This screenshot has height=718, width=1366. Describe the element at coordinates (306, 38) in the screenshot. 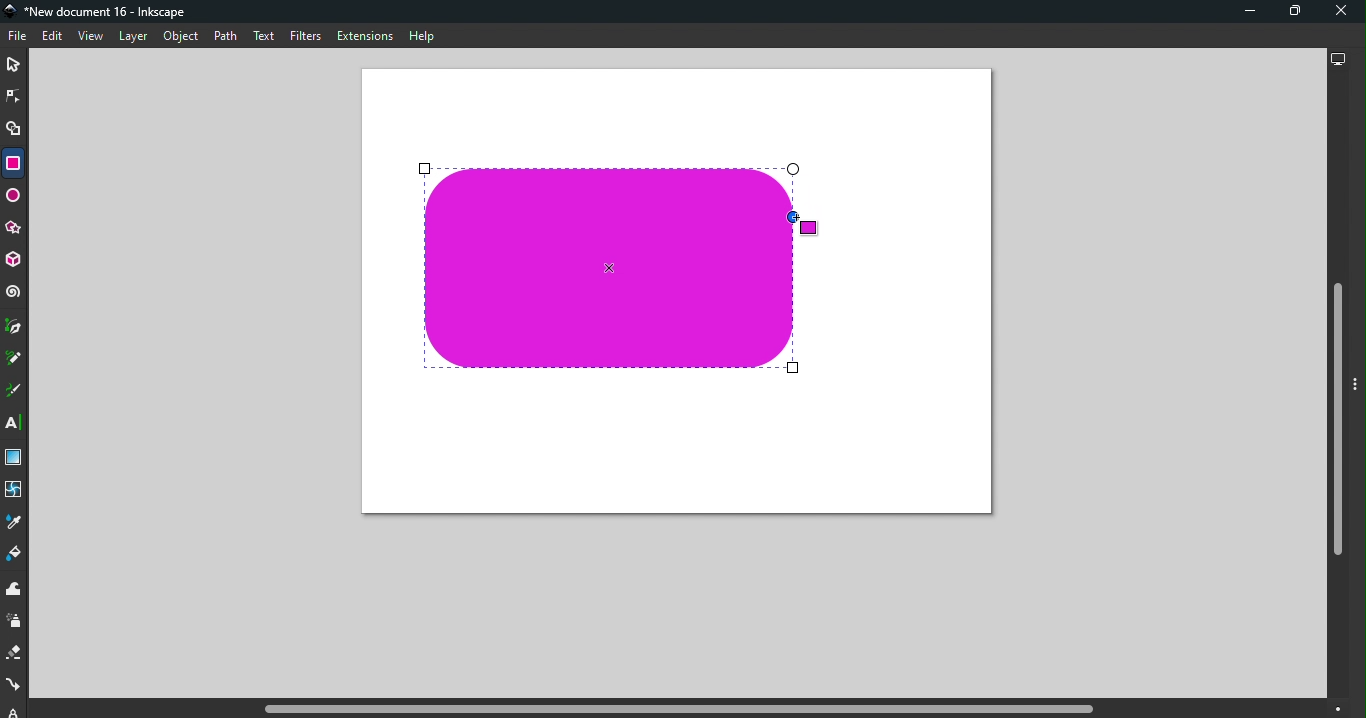

I see `Filters` at that location.